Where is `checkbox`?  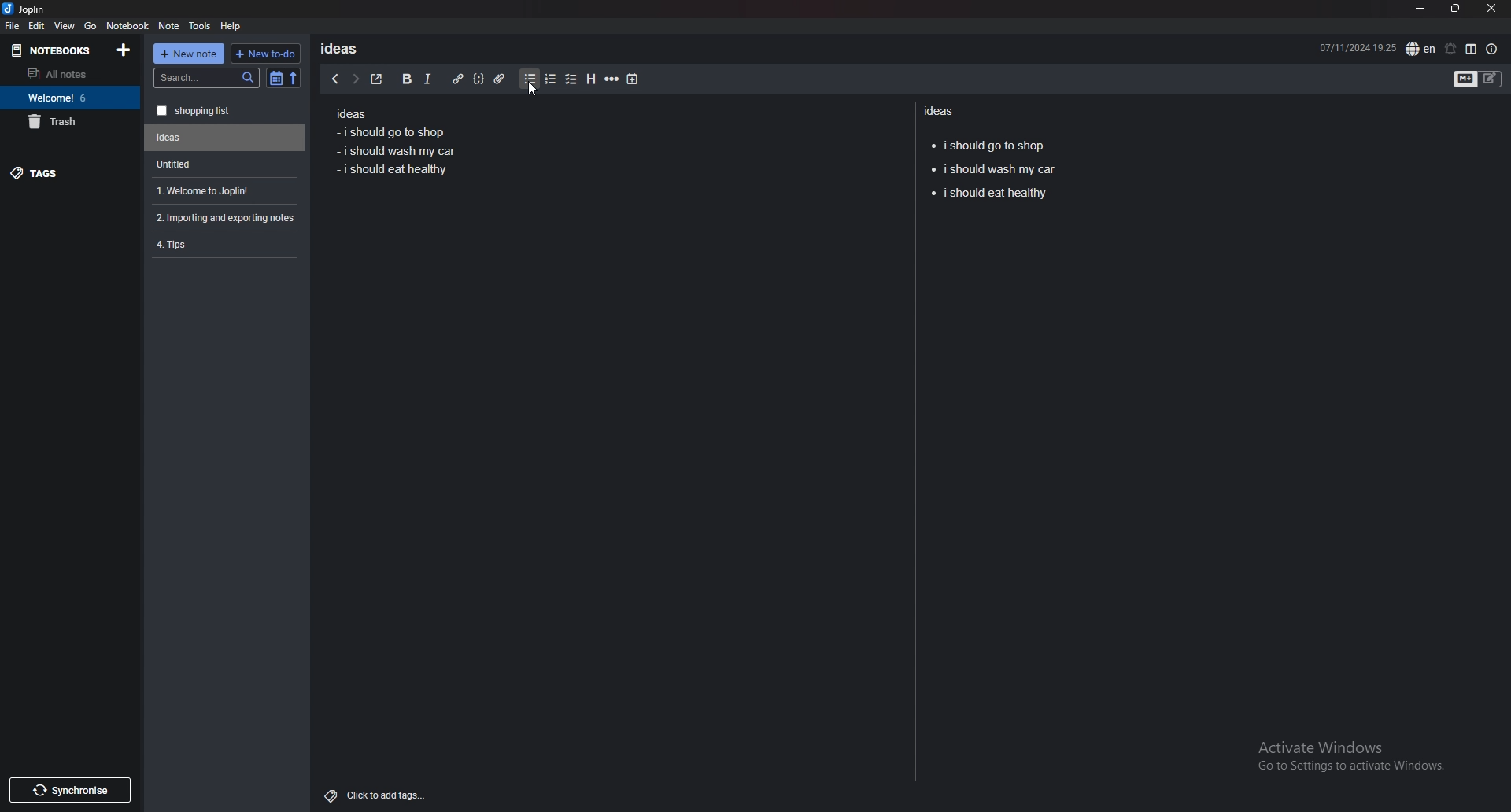
checkbox is located at coordinates (571, 80).